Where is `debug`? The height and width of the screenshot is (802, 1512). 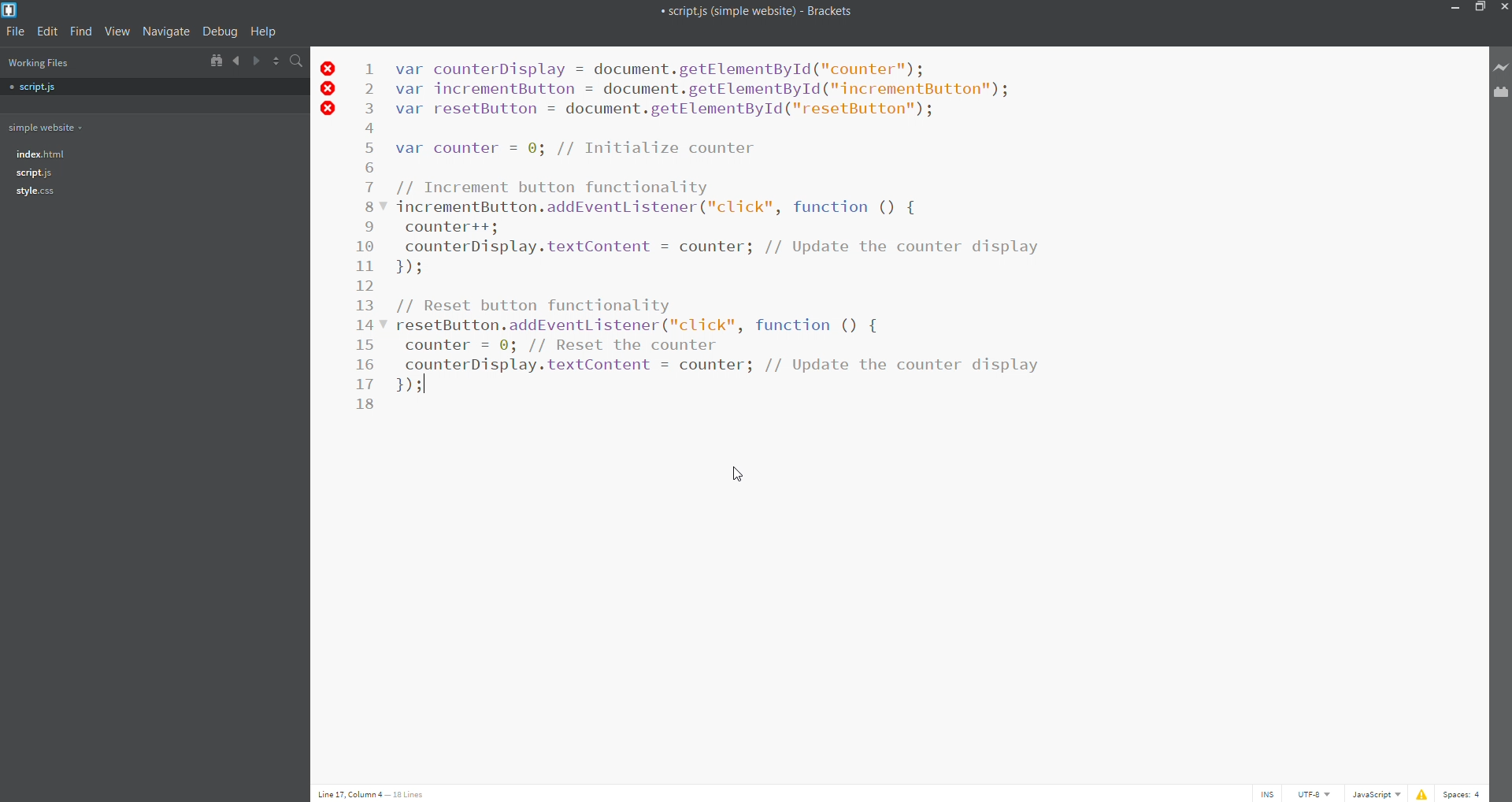 debug is located at coordinates (218, 33).